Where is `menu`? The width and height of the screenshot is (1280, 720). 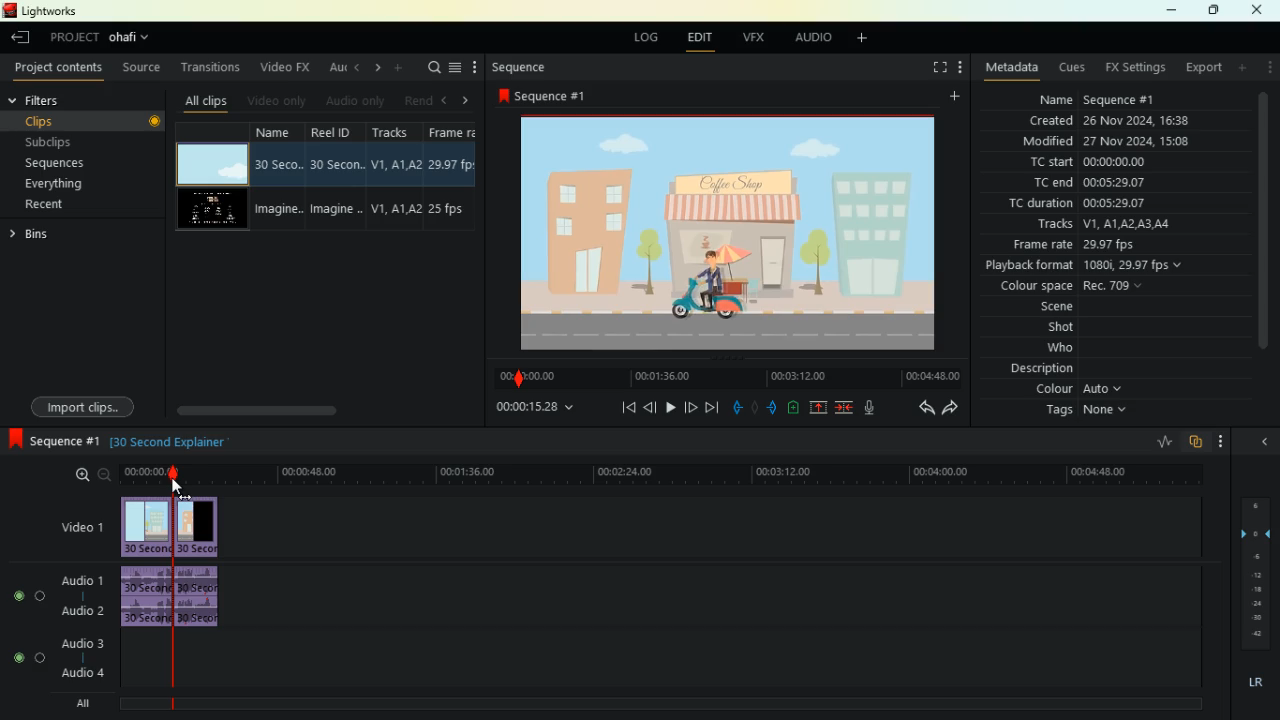
menu is located at coordinates (1226, 440).